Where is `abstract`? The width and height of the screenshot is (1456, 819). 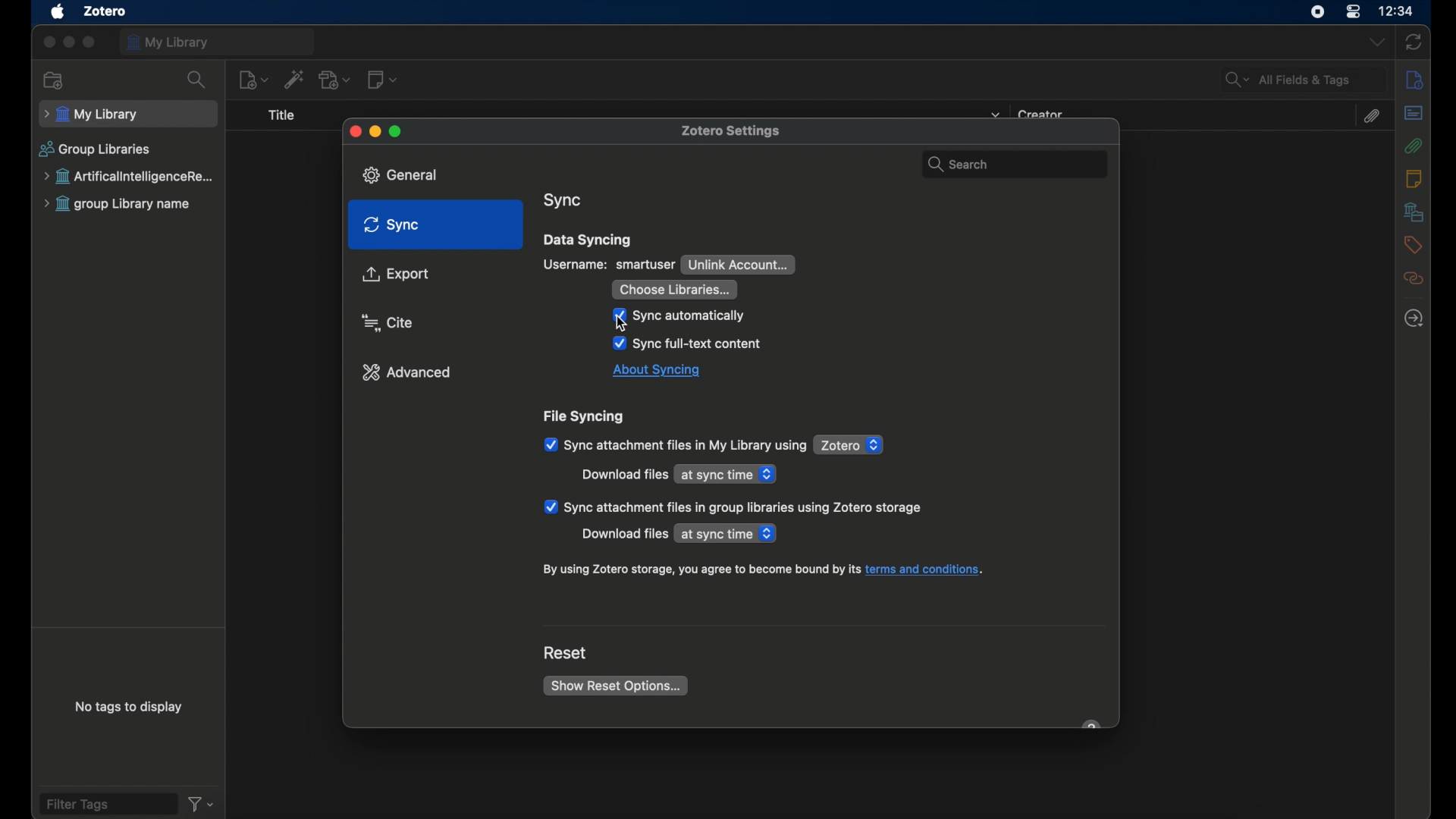 abstract is located at coordinates (1413, 113).